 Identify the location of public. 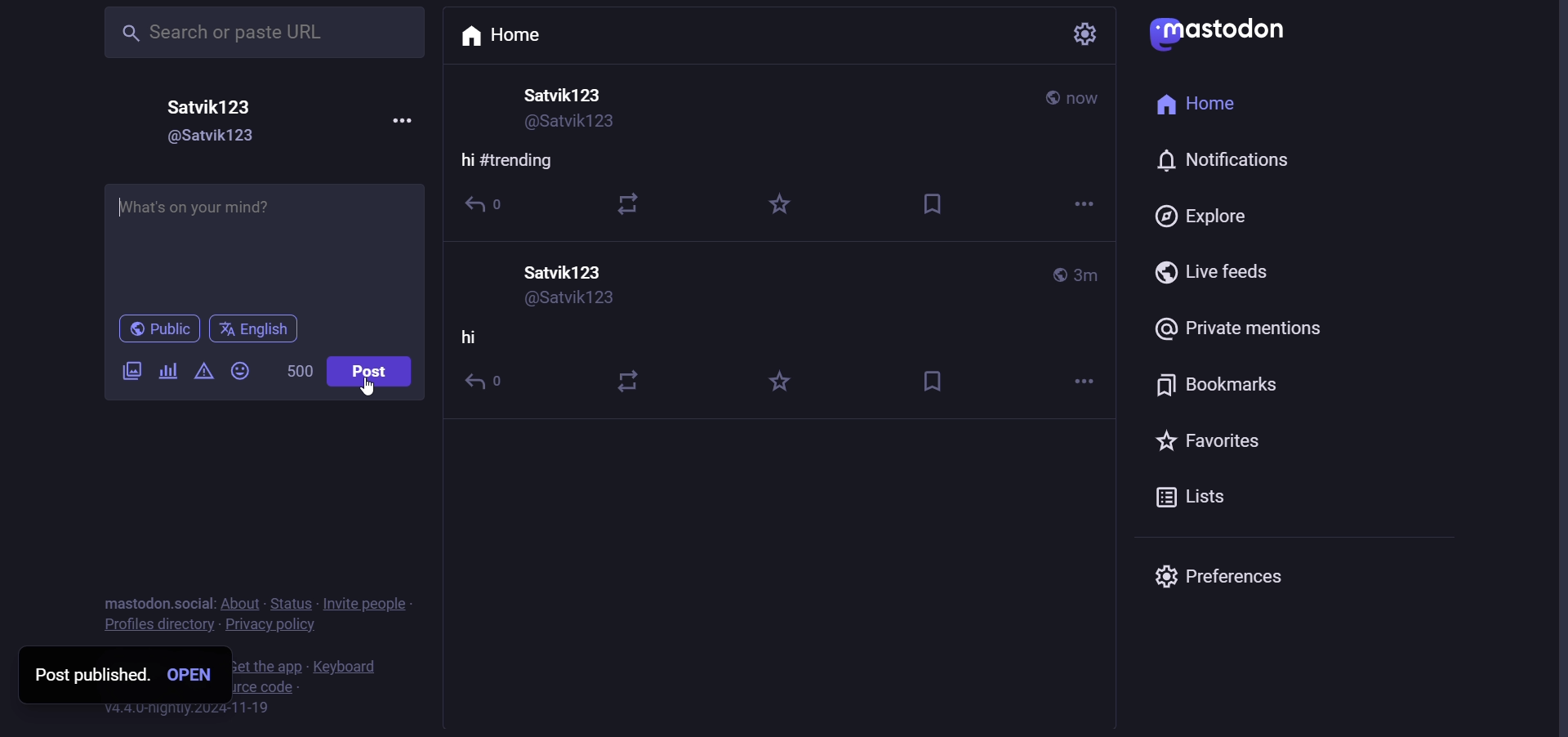
(1026, 272).